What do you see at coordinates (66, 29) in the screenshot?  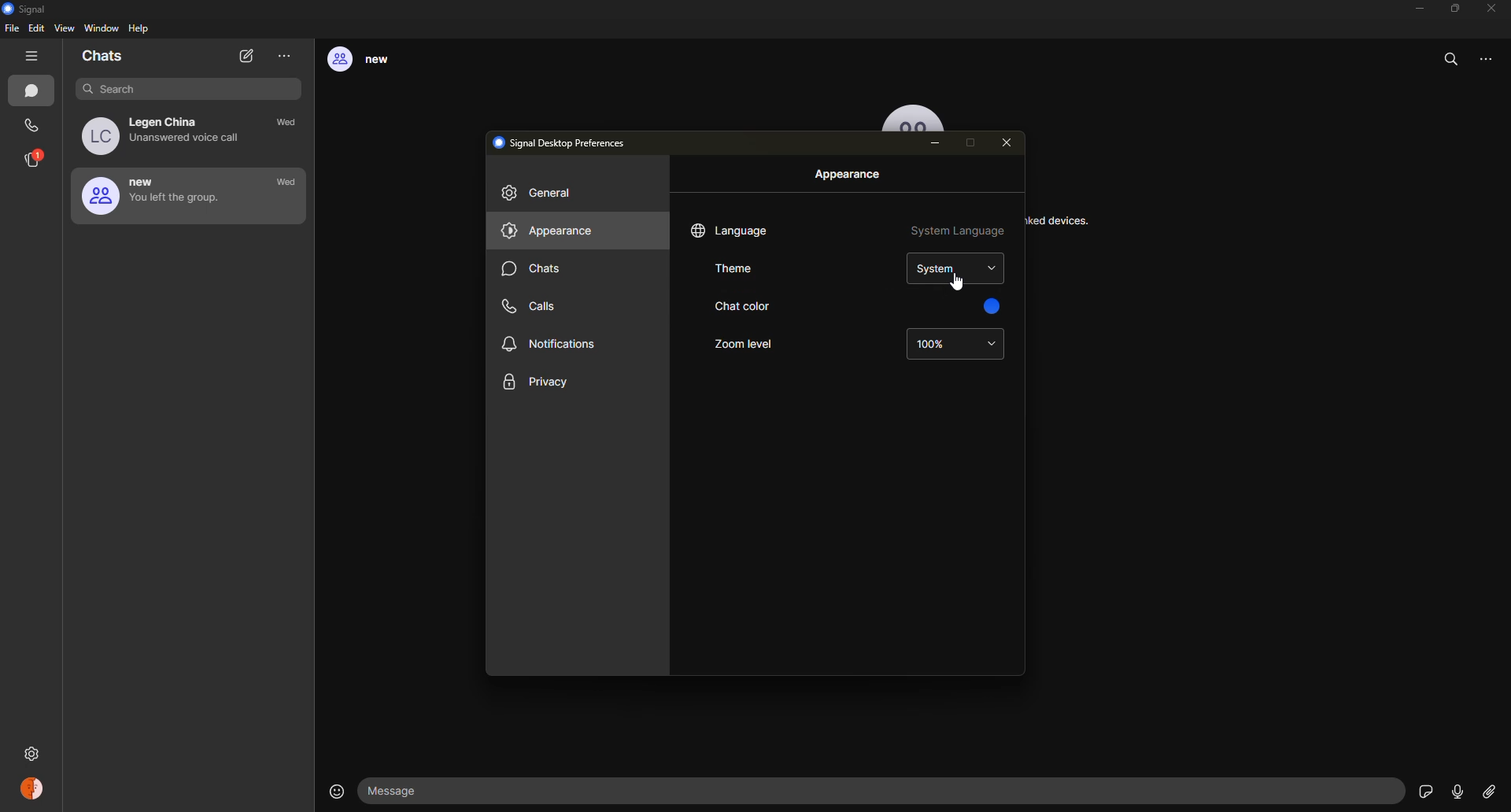 I see `view` at bounding box center [66, 29].